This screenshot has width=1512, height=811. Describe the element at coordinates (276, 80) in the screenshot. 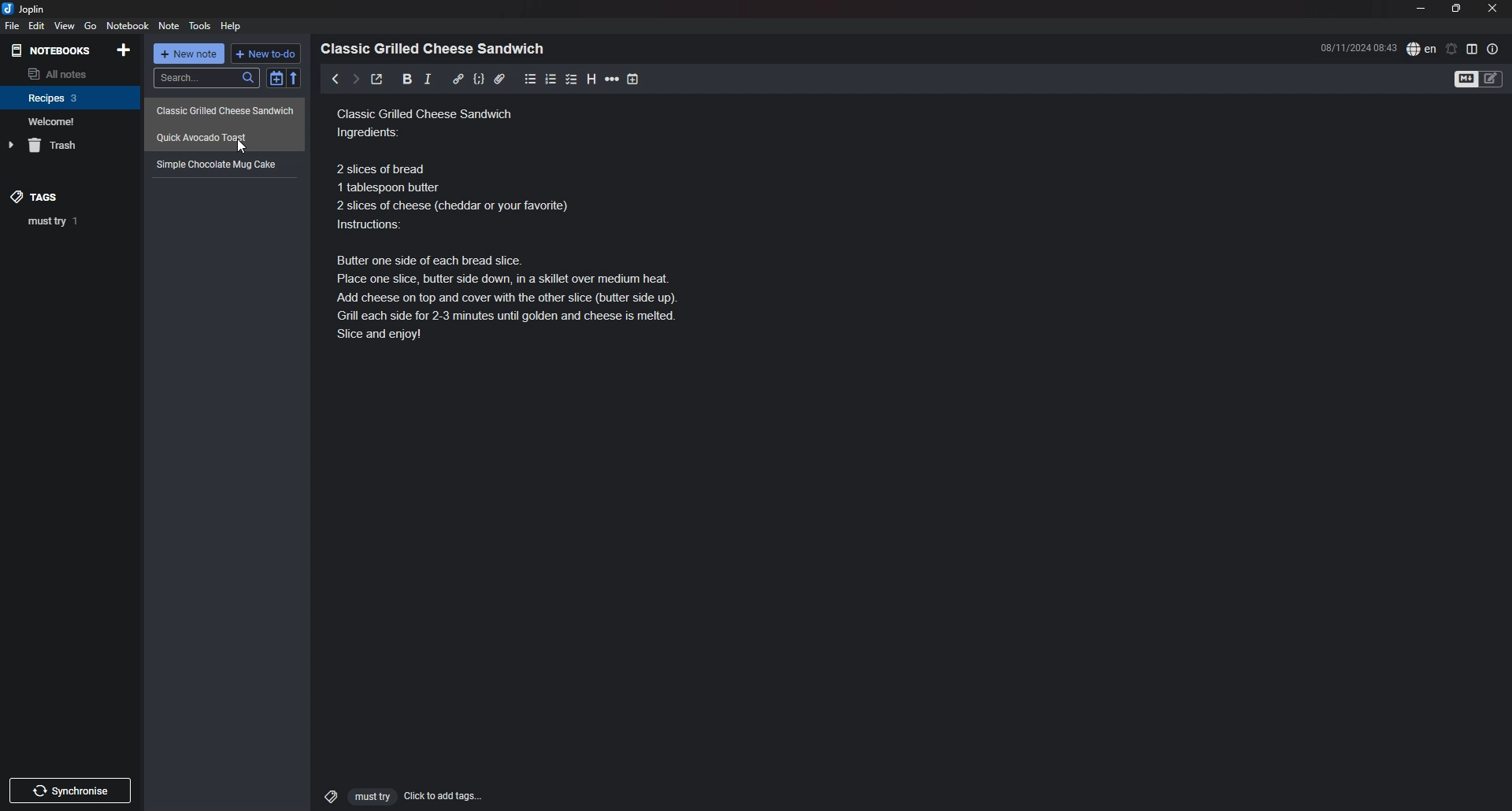

I see `toggle sort order` at that location.